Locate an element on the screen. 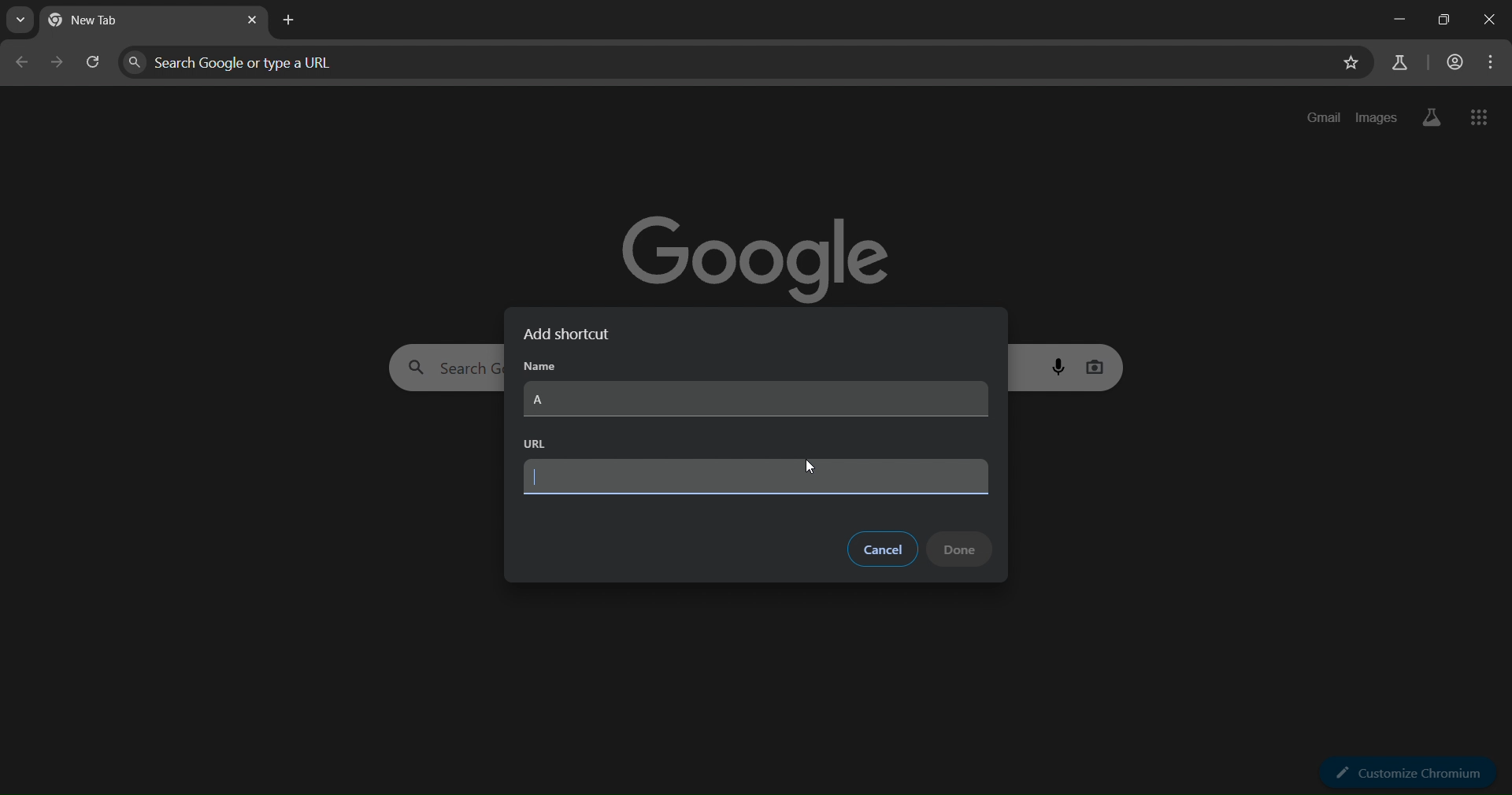  search tabs is located at coordinates (24, 20).